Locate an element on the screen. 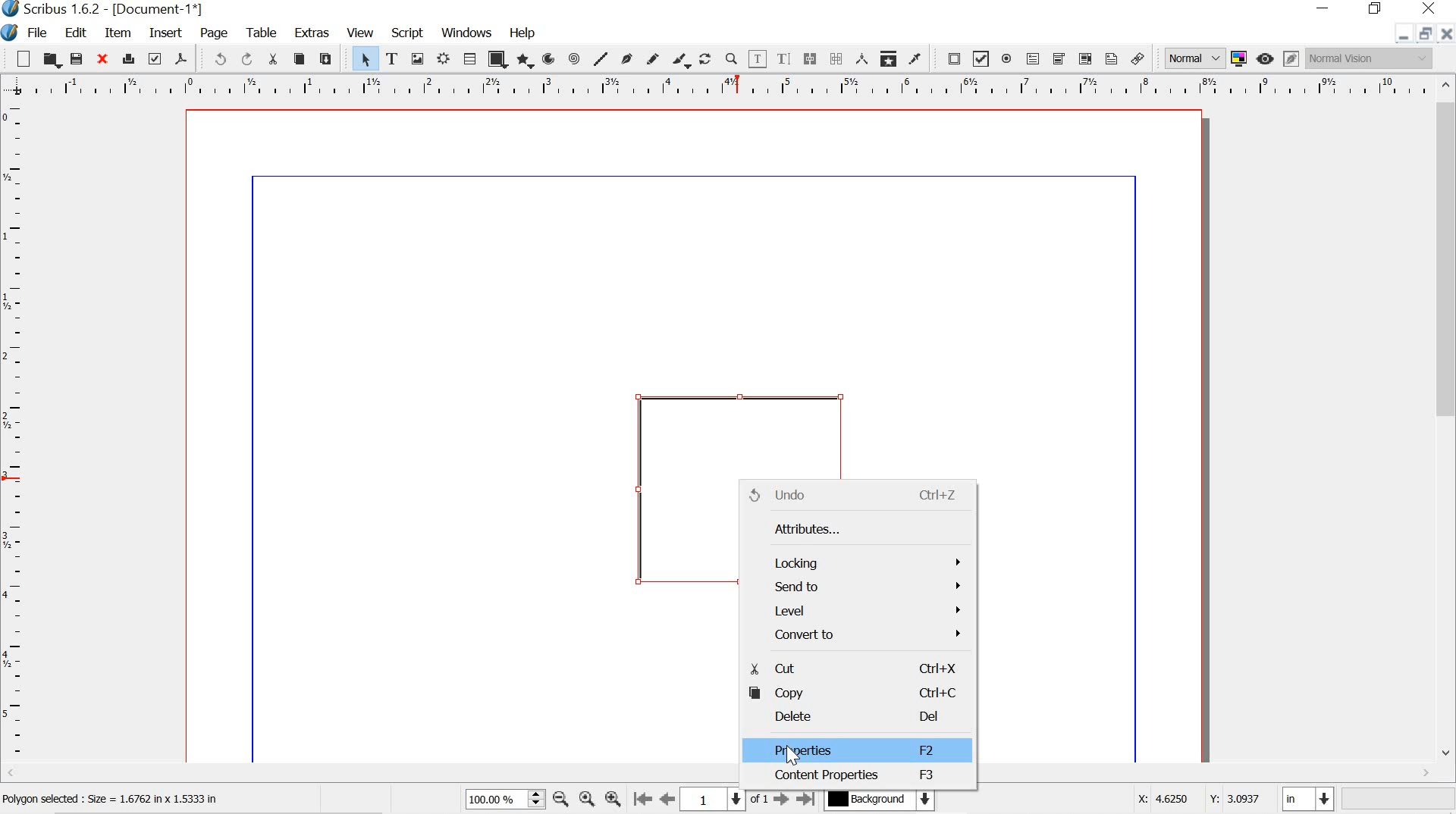 Image resolution: width=1456 pixels, height=814 pixels. go to the first page is located at coordinates (643, 800).